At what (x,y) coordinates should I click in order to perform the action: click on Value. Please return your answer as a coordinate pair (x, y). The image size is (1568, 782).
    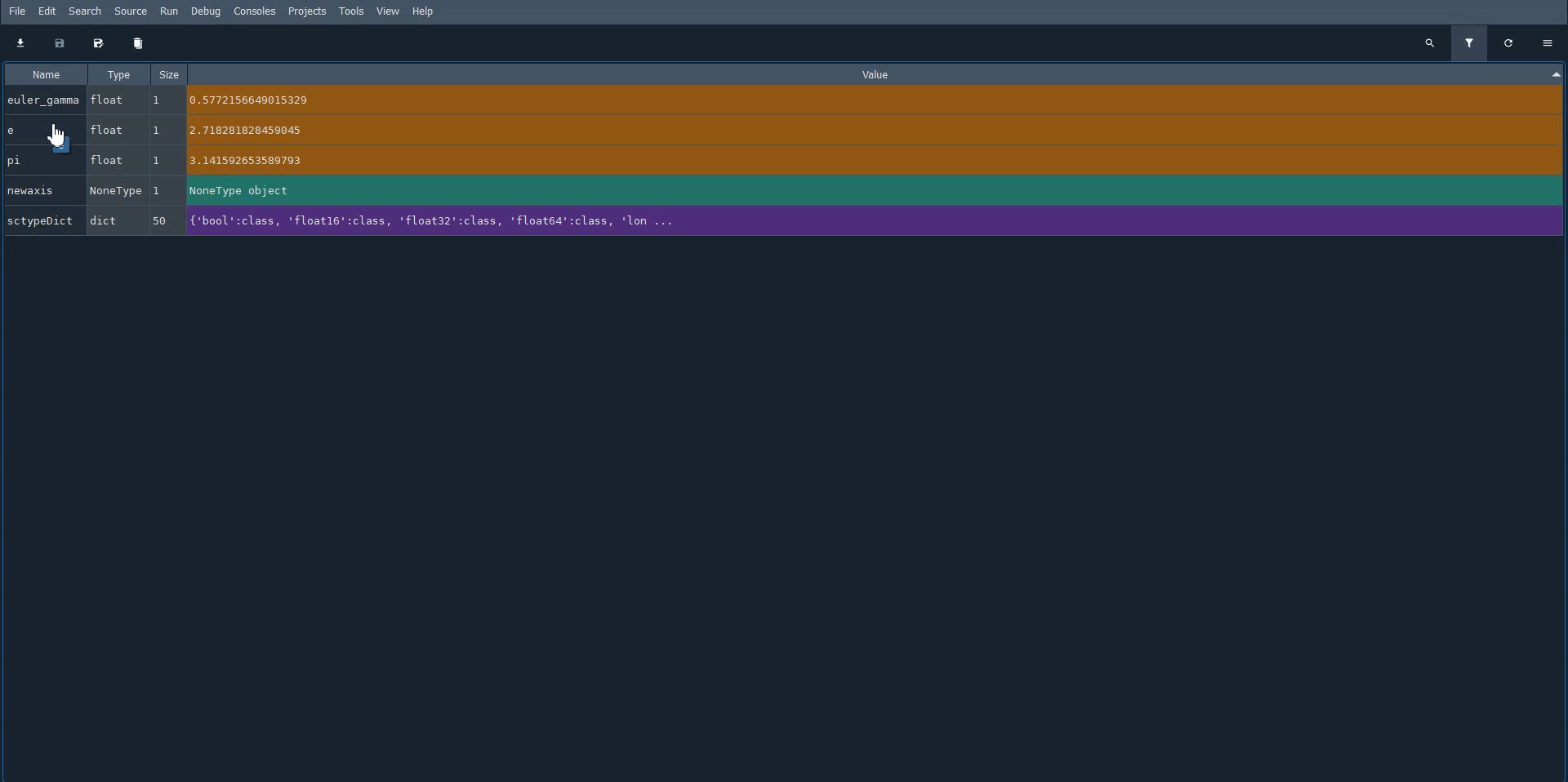
    Looking at the image, I should click on (880, 73).